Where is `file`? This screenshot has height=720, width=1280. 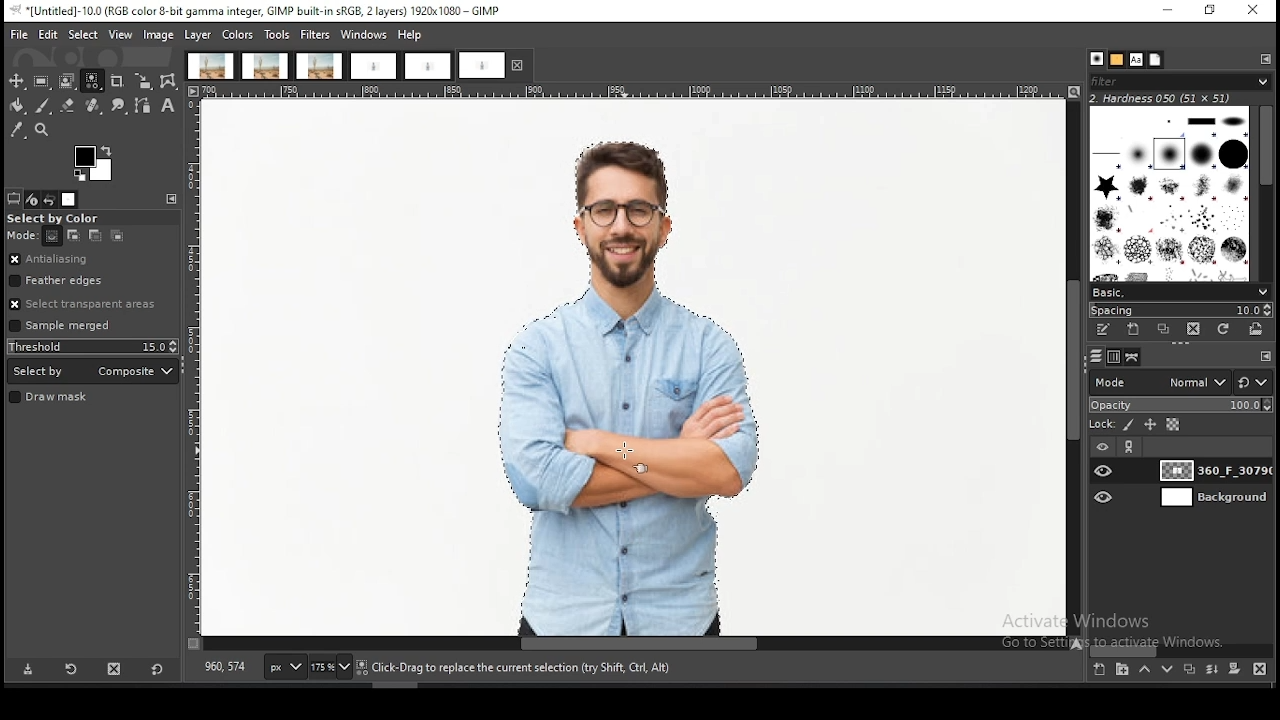 file is located at coordinates (20, 35).